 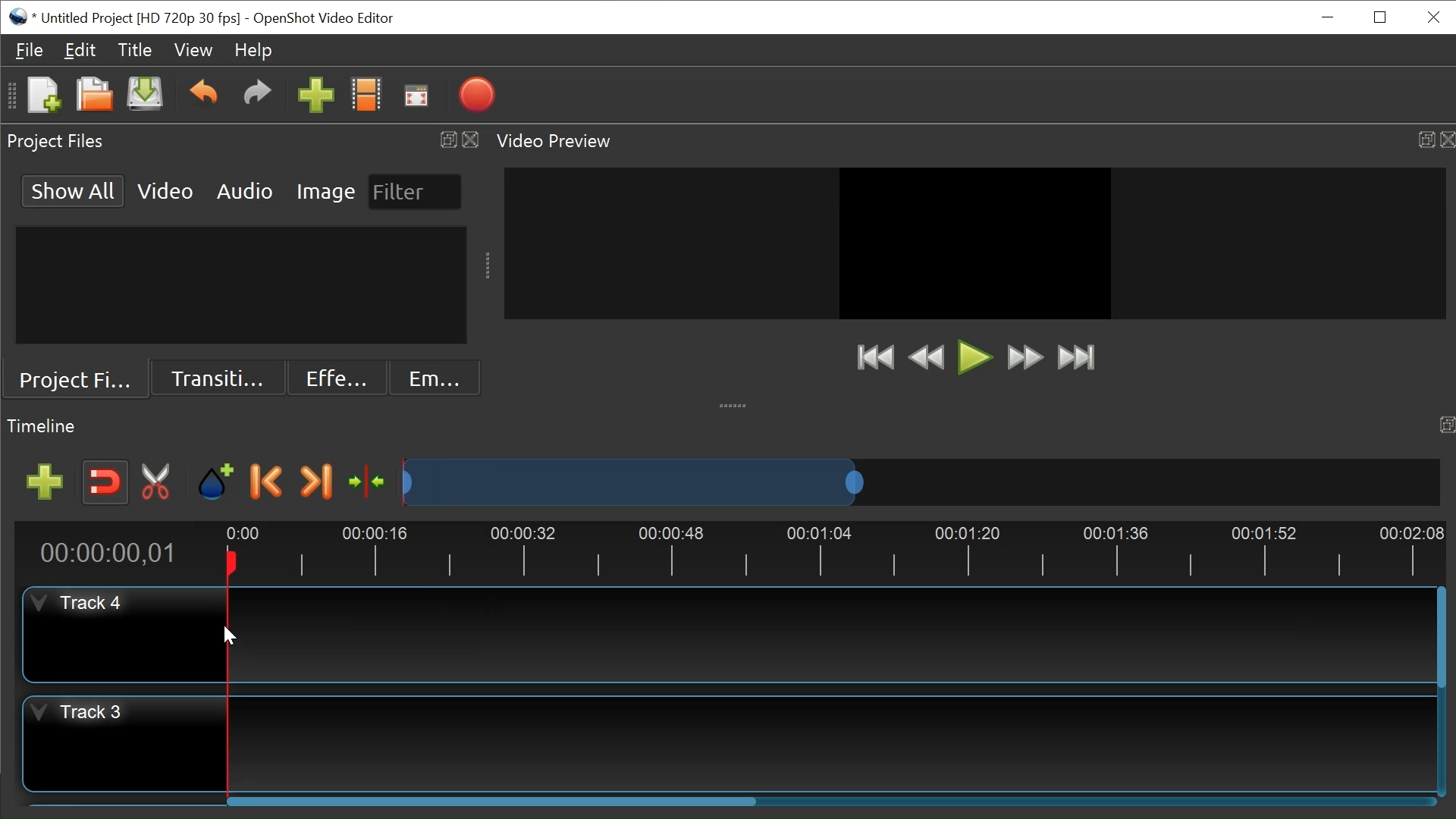 What do you see at coordinates (1439, 626) in the screenshot?
I see `Vertical Scroll bar` at bounding box center [1439, 626].